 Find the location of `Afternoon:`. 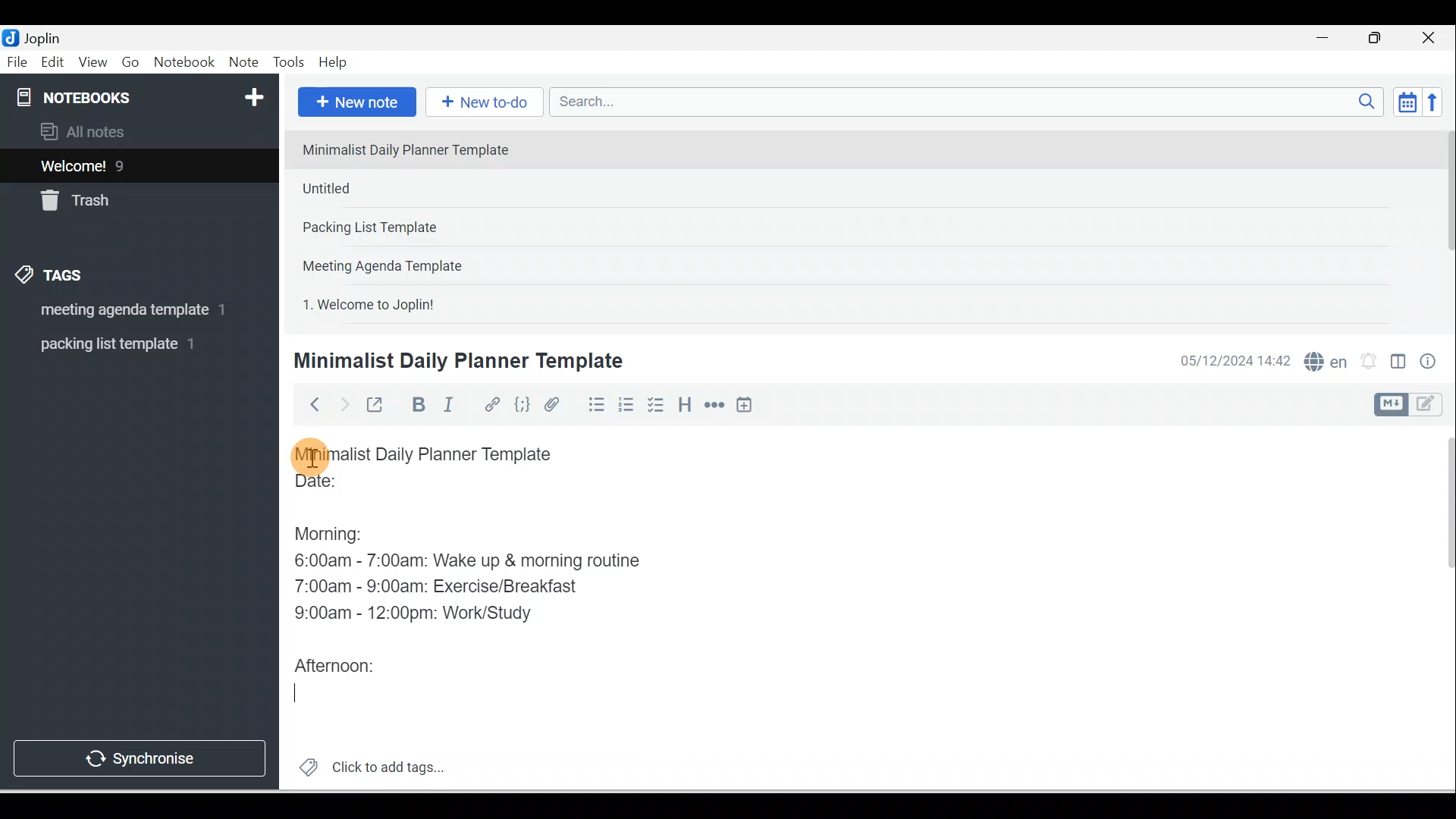

Afternoon: is located at coordinates (340, 663).